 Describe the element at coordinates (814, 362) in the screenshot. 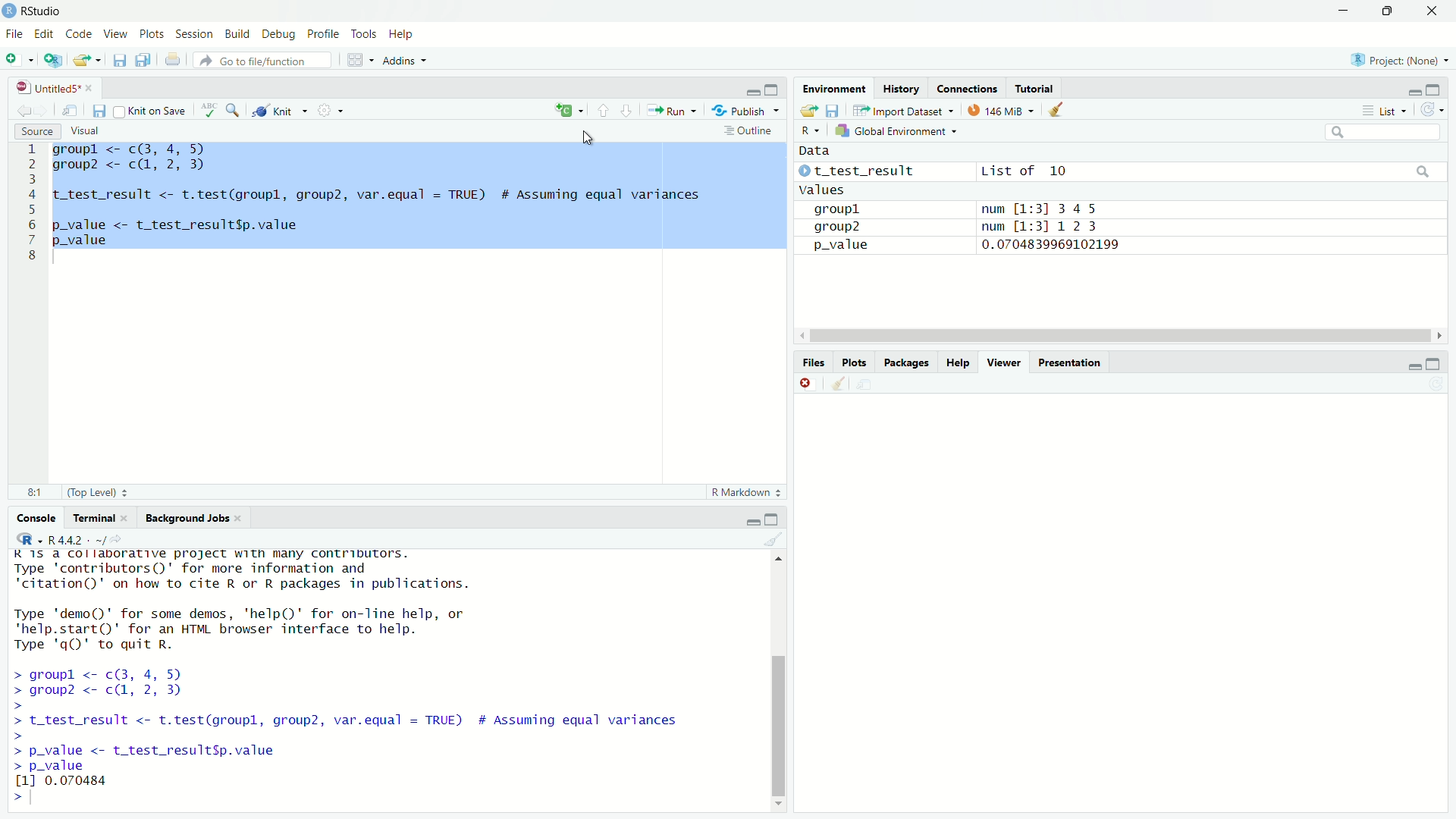

I see `Files` at that location.